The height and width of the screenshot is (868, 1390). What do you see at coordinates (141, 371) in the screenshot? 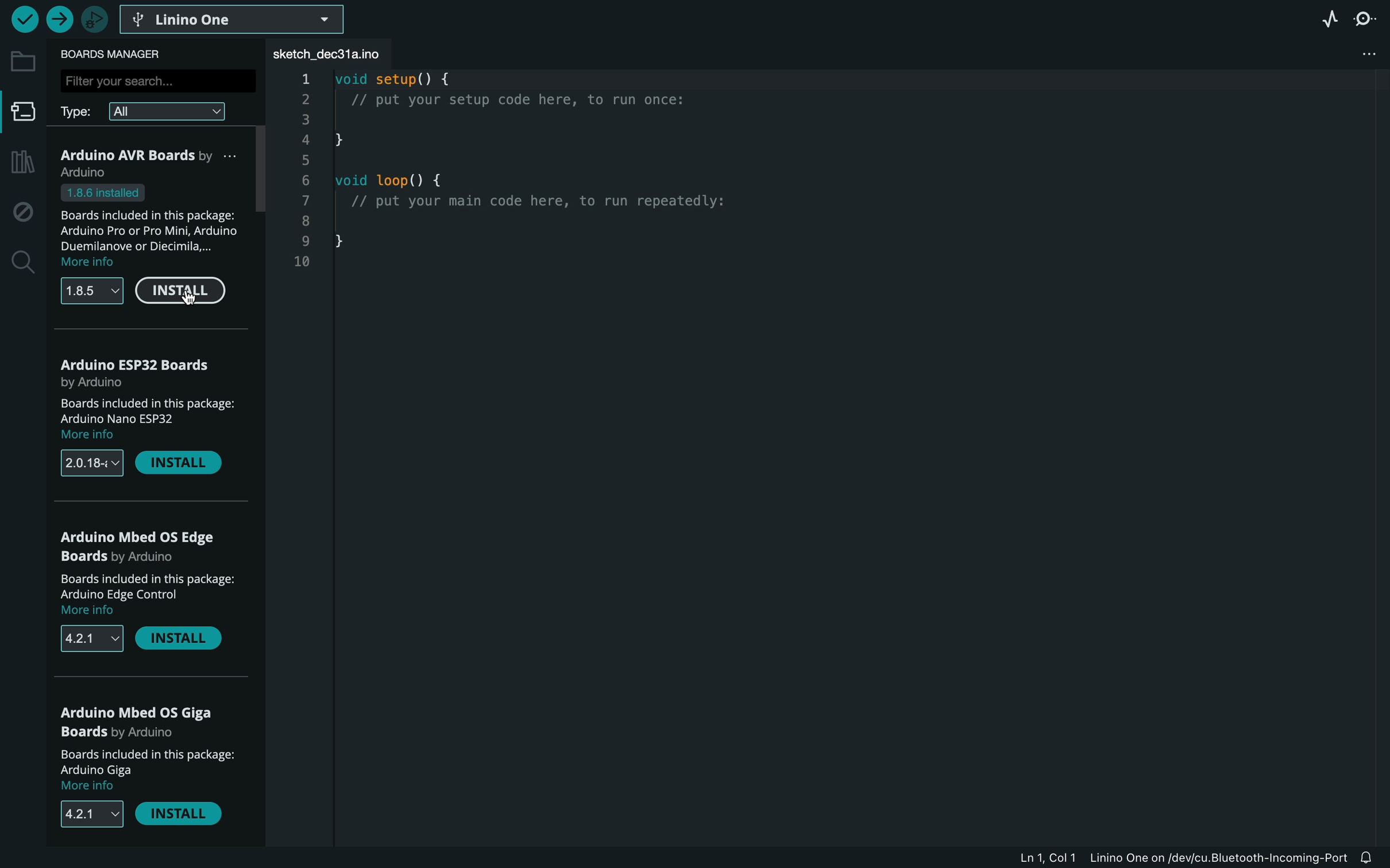
I see `ESP32 boards` at bounding box center [141, 371].